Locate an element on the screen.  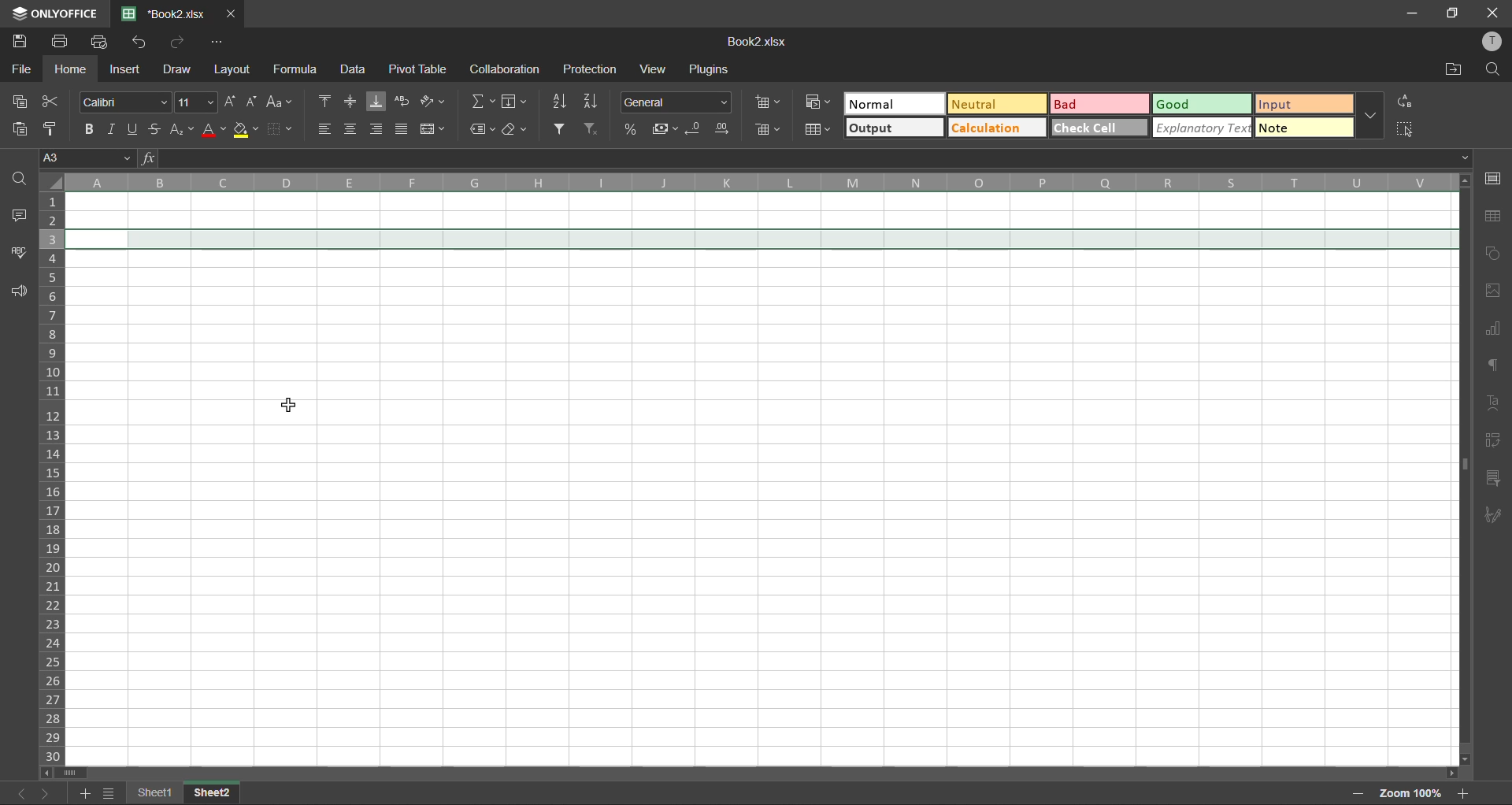
paragraph is located at coordinates (1497, 367).